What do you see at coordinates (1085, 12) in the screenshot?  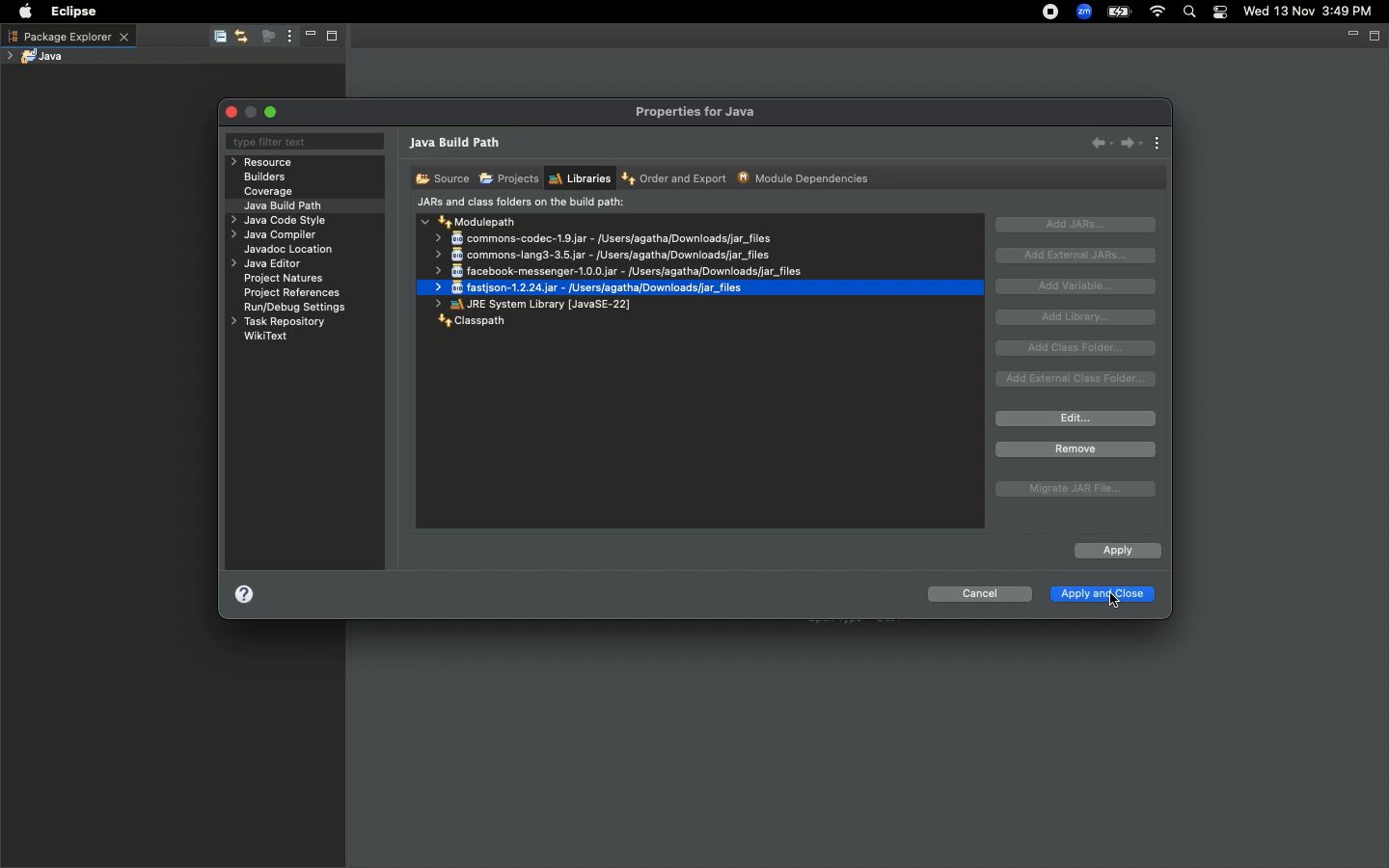 I see `Zoom` at bounding box center [1085, 12].